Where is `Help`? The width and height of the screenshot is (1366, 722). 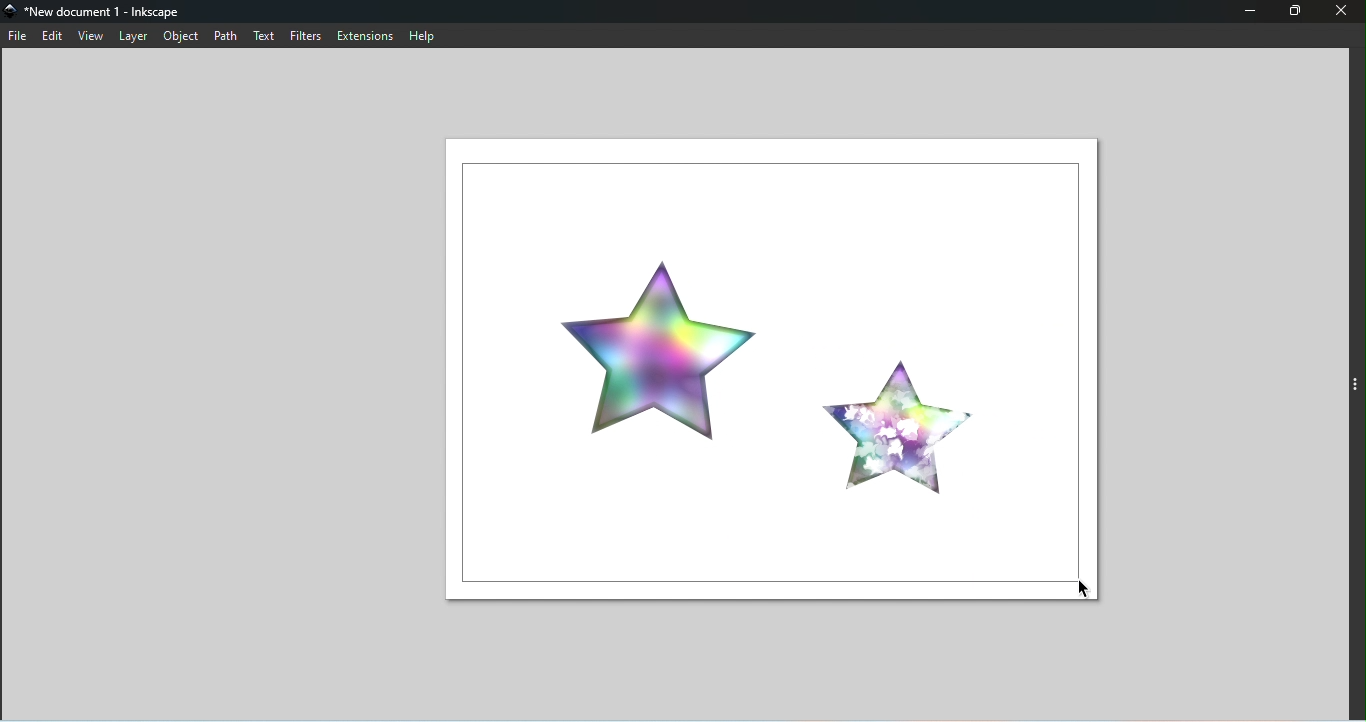
Help is located at coordinates (428, 35).